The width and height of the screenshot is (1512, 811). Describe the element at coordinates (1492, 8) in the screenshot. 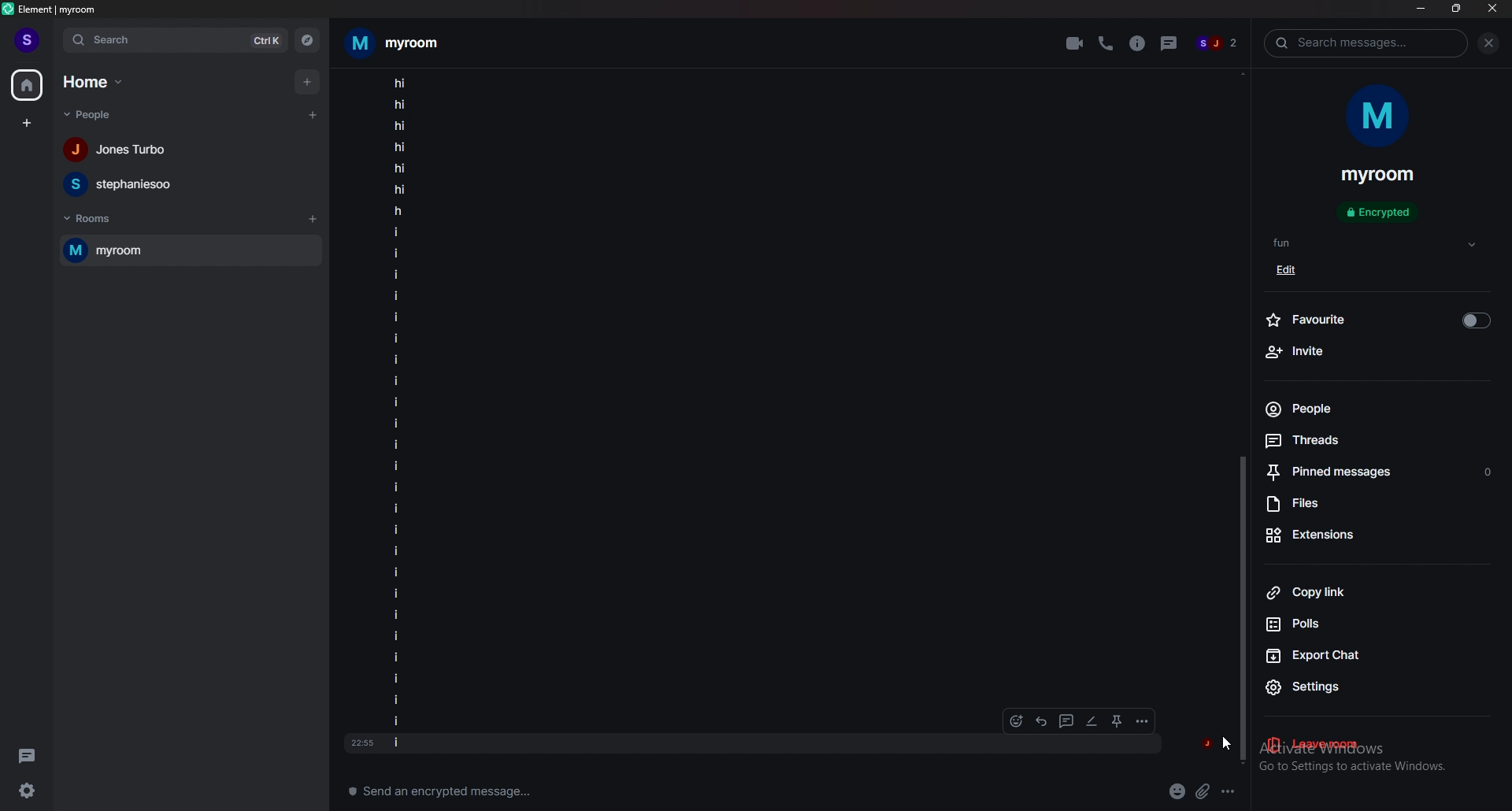

I see `close` at that location.